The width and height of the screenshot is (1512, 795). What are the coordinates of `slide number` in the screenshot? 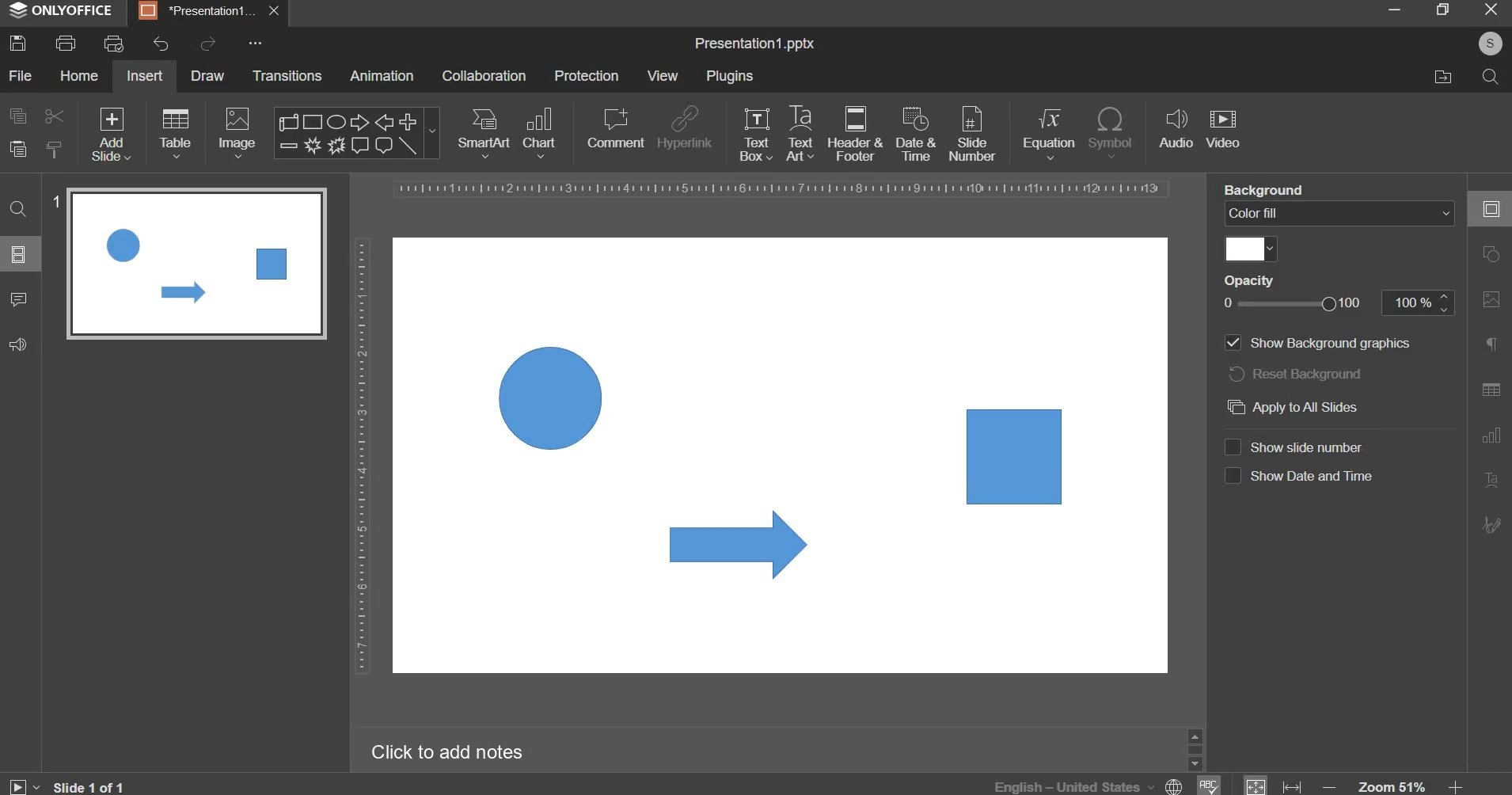 It's located at (971, 132).